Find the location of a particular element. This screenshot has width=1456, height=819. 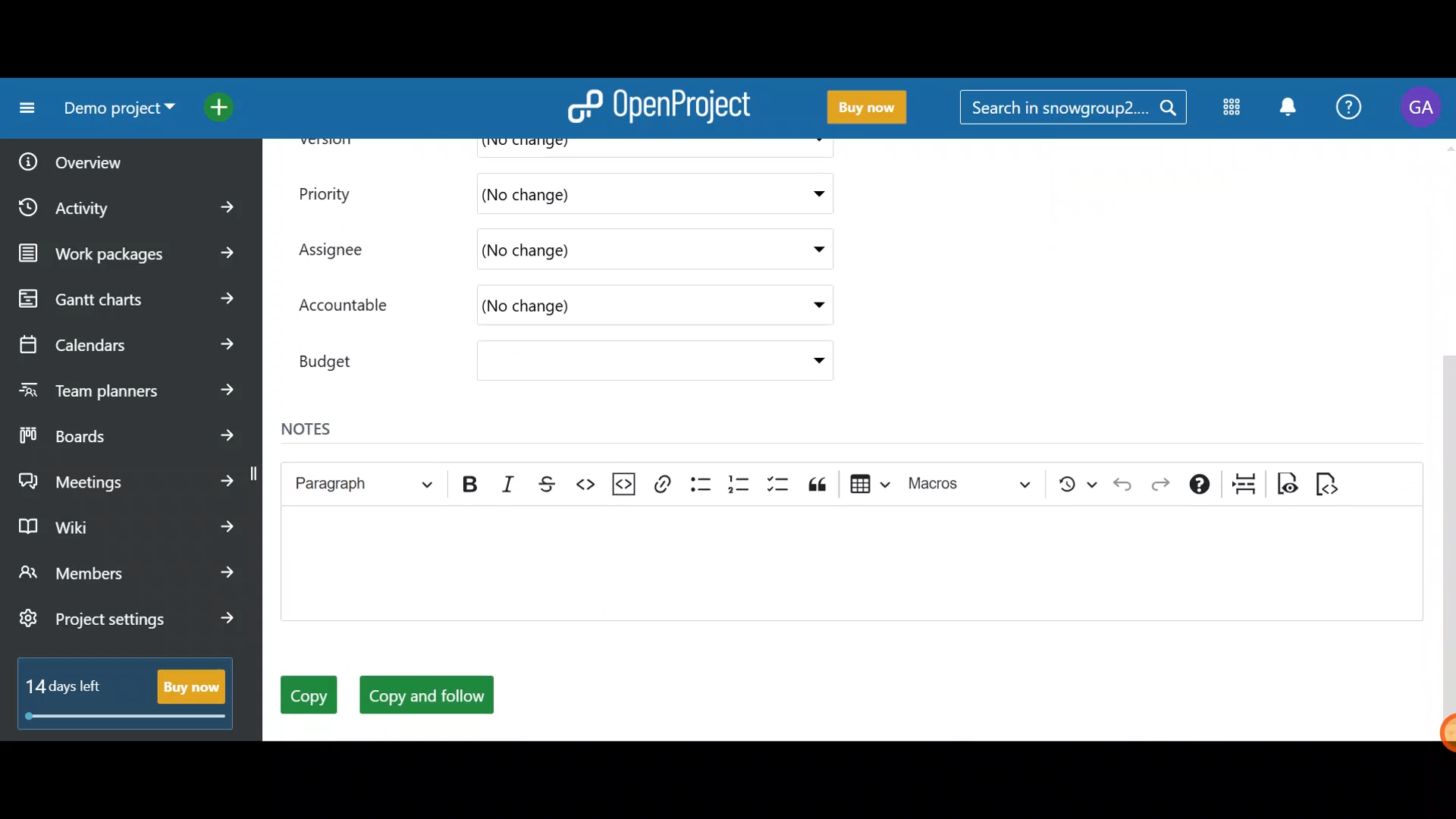

Link is located at coordinates (660, 480).